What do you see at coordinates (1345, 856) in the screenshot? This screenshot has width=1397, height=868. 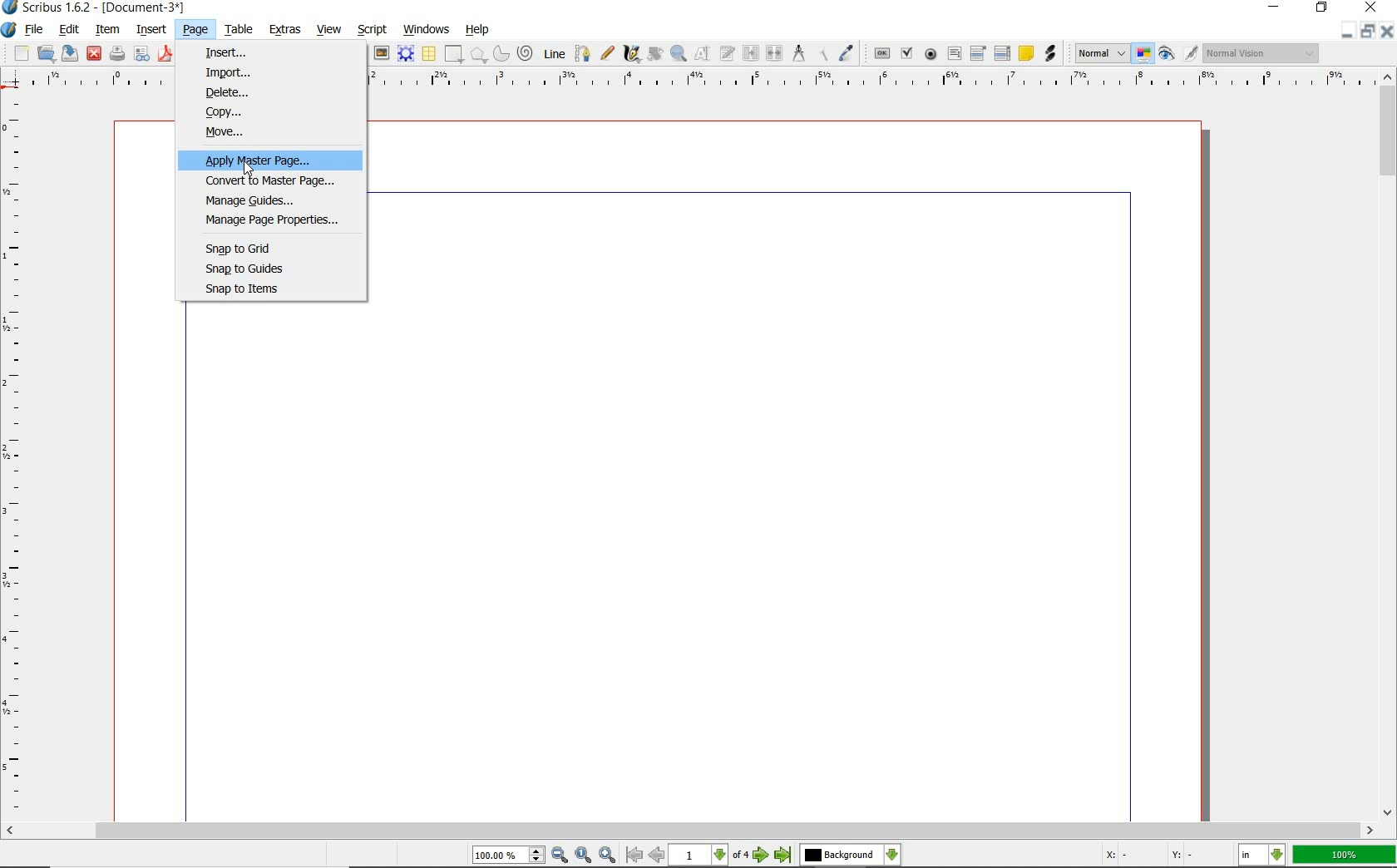 I see `zoom factor 100%` at bounding box center [1345, 856].